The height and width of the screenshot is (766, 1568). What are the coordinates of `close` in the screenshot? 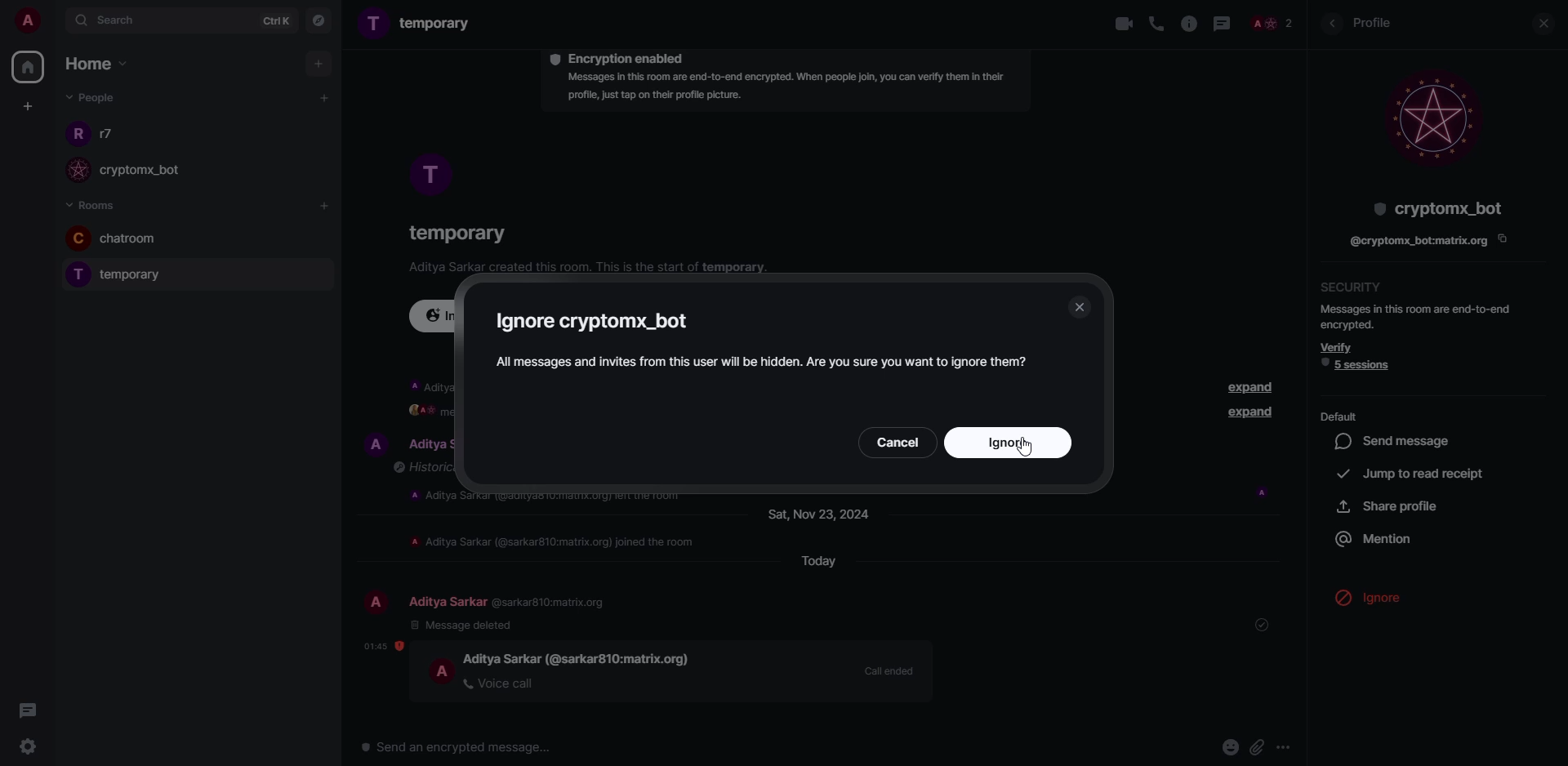 It's located at (1540, 24).